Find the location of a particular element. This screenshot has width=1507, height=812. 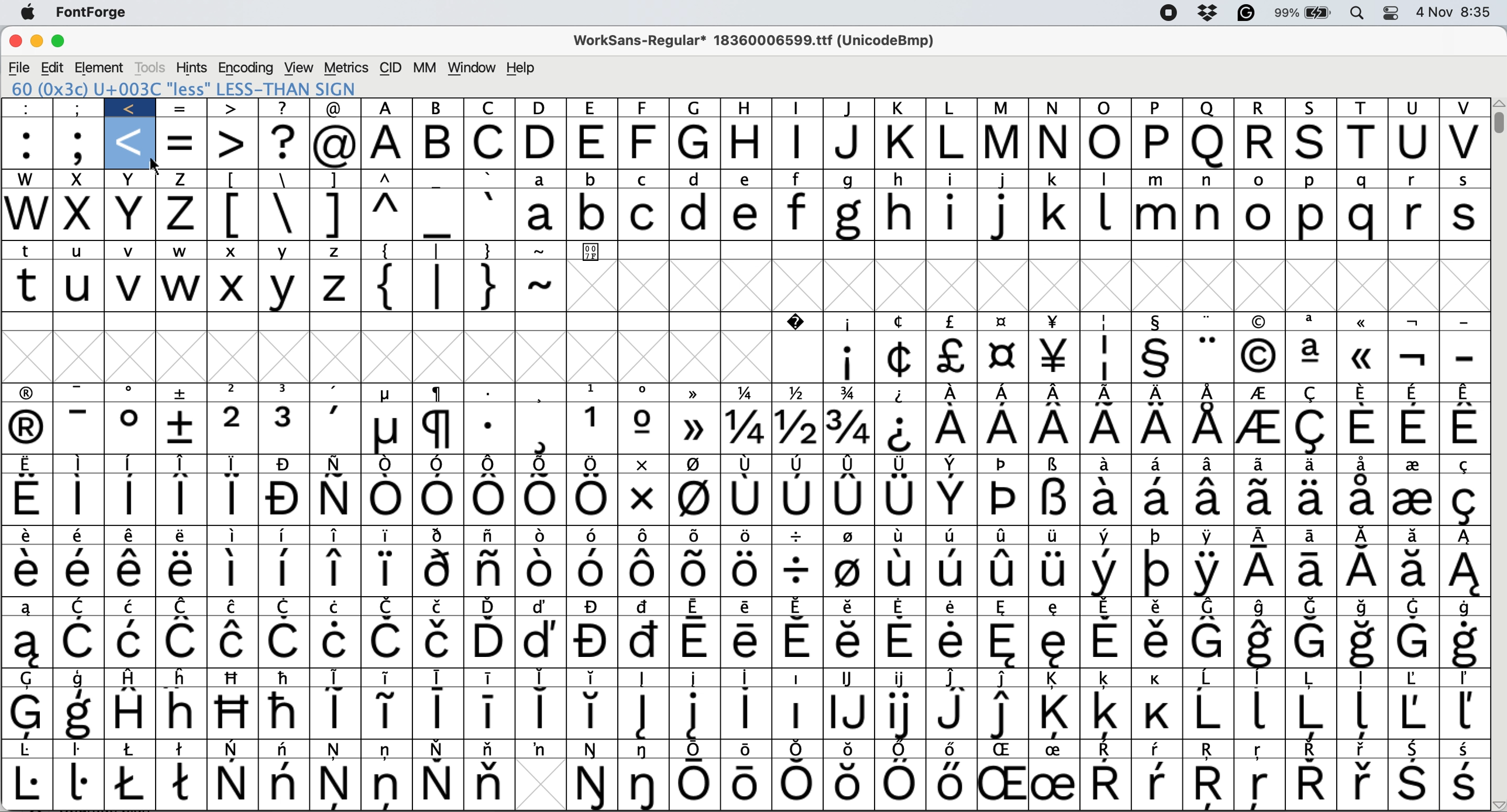

Symbol is located at coordinates (1260, 355).